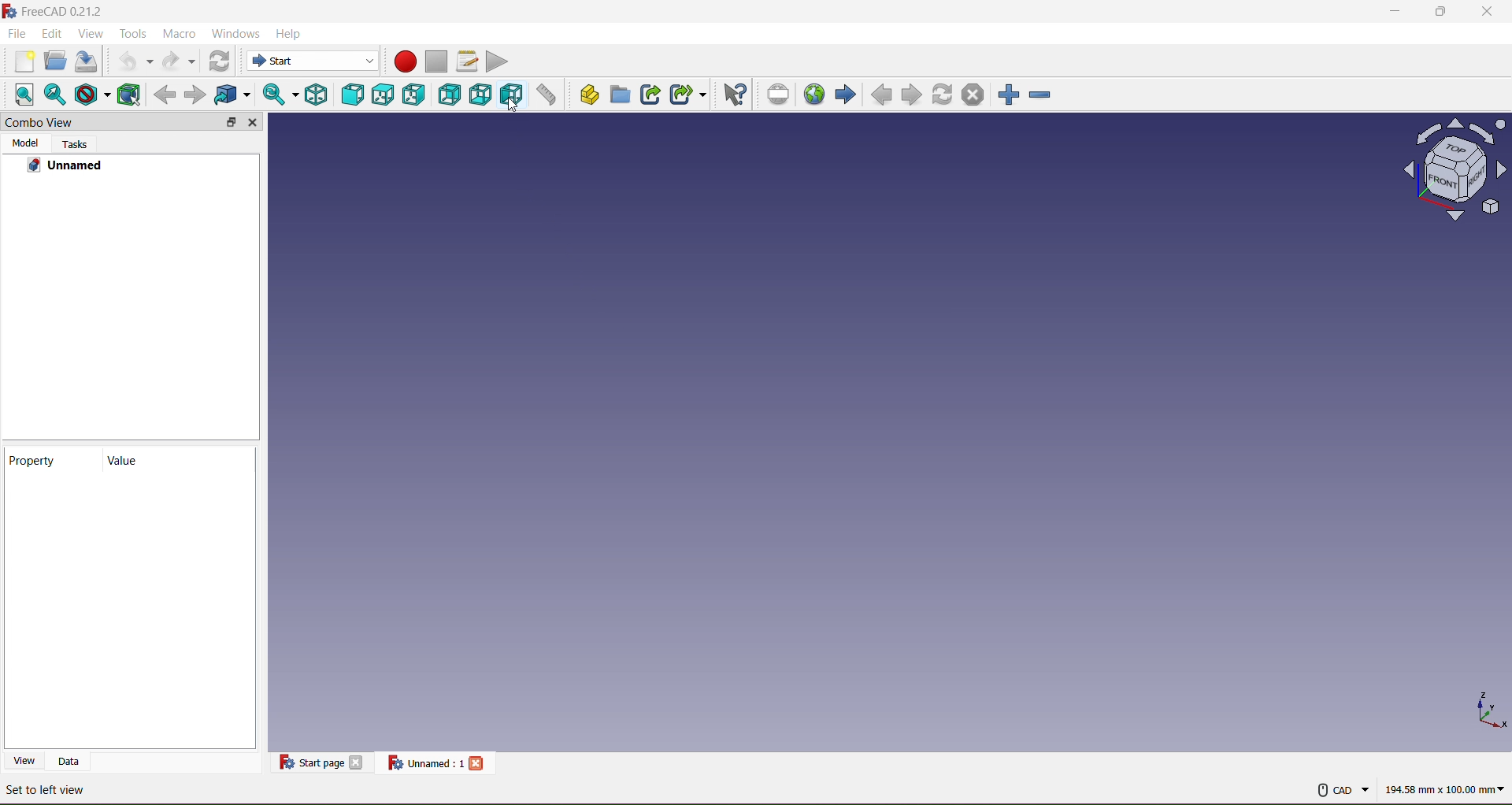  Describe the element at coordinates (734, 95) in the screenshot. I see `What's This` at that location.